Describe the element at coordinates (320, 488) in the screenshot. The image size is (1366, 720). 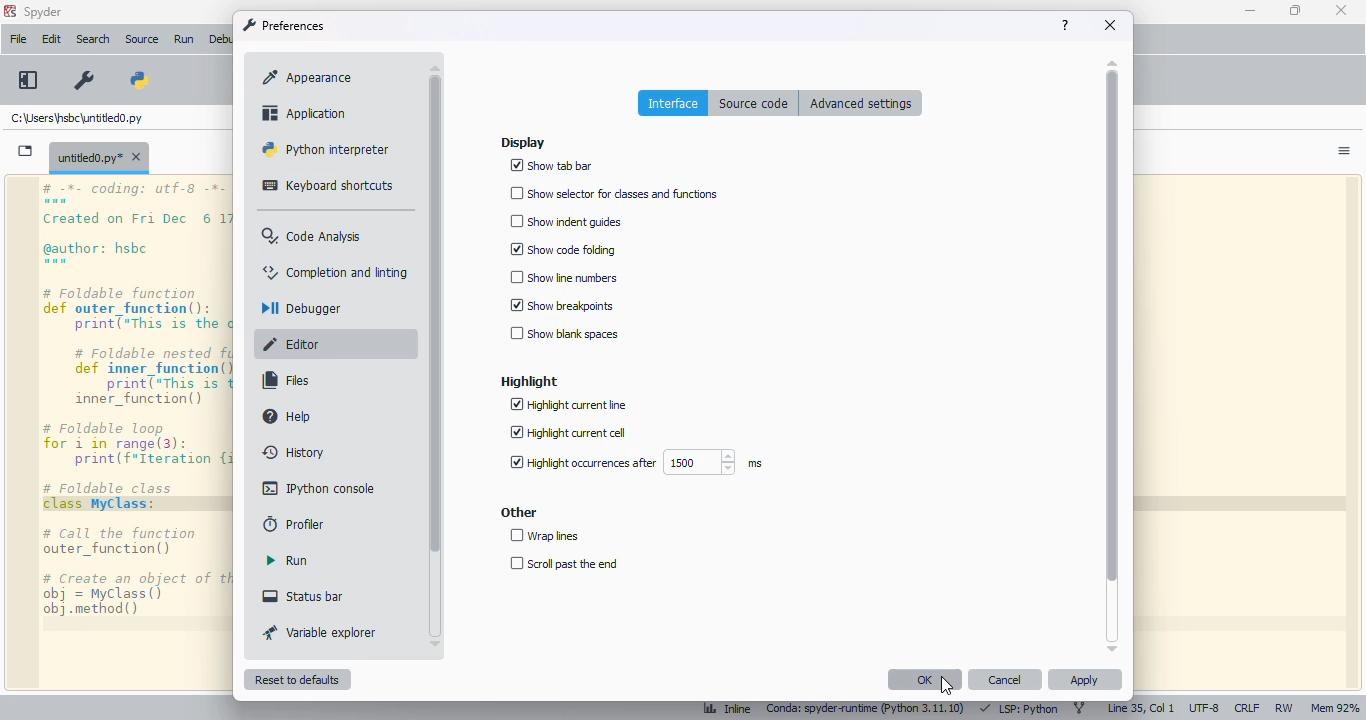
I see `IPython console` at that location.